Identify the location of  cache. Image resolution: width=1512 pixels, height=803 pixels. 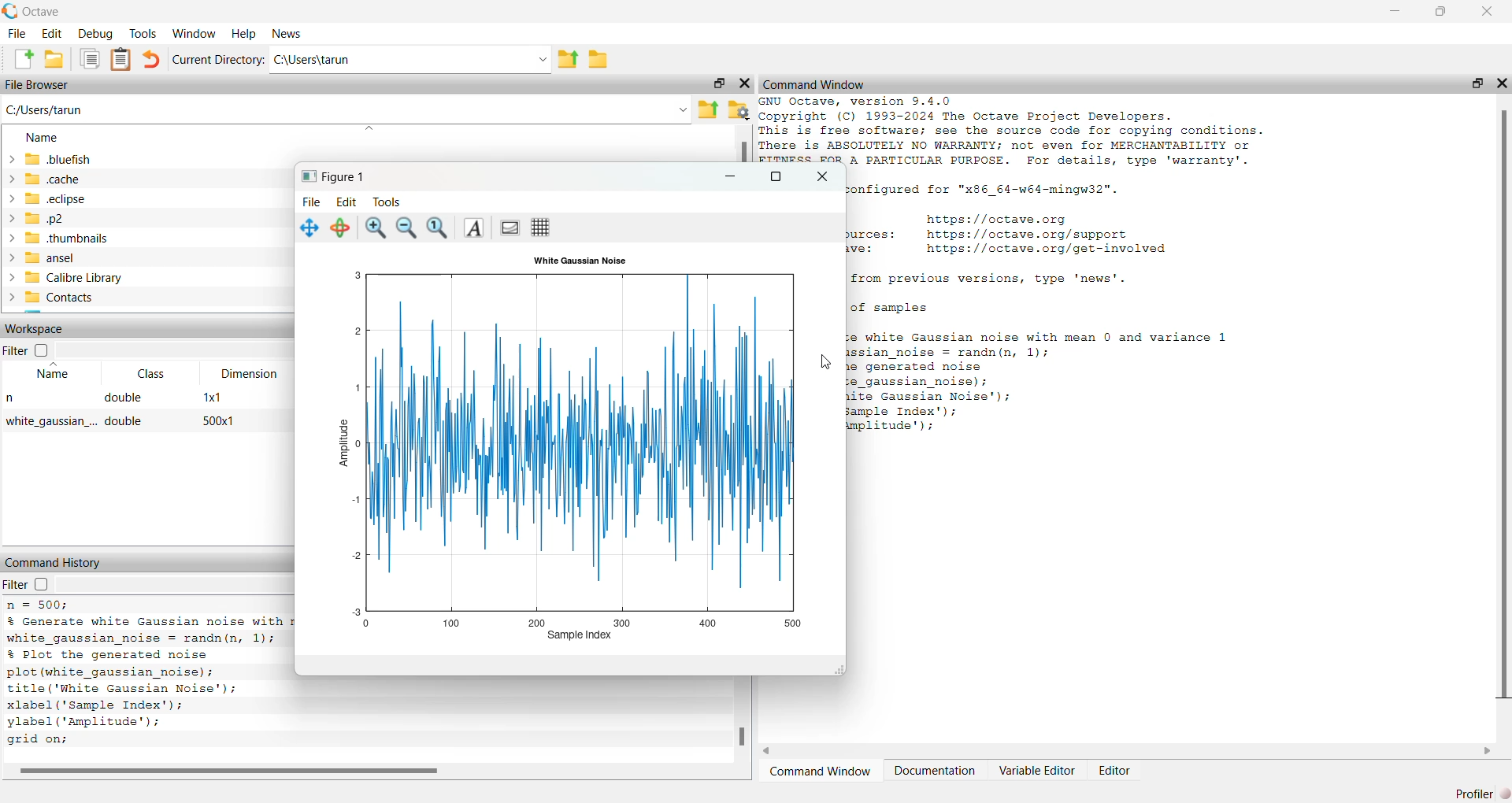
(54, 178).